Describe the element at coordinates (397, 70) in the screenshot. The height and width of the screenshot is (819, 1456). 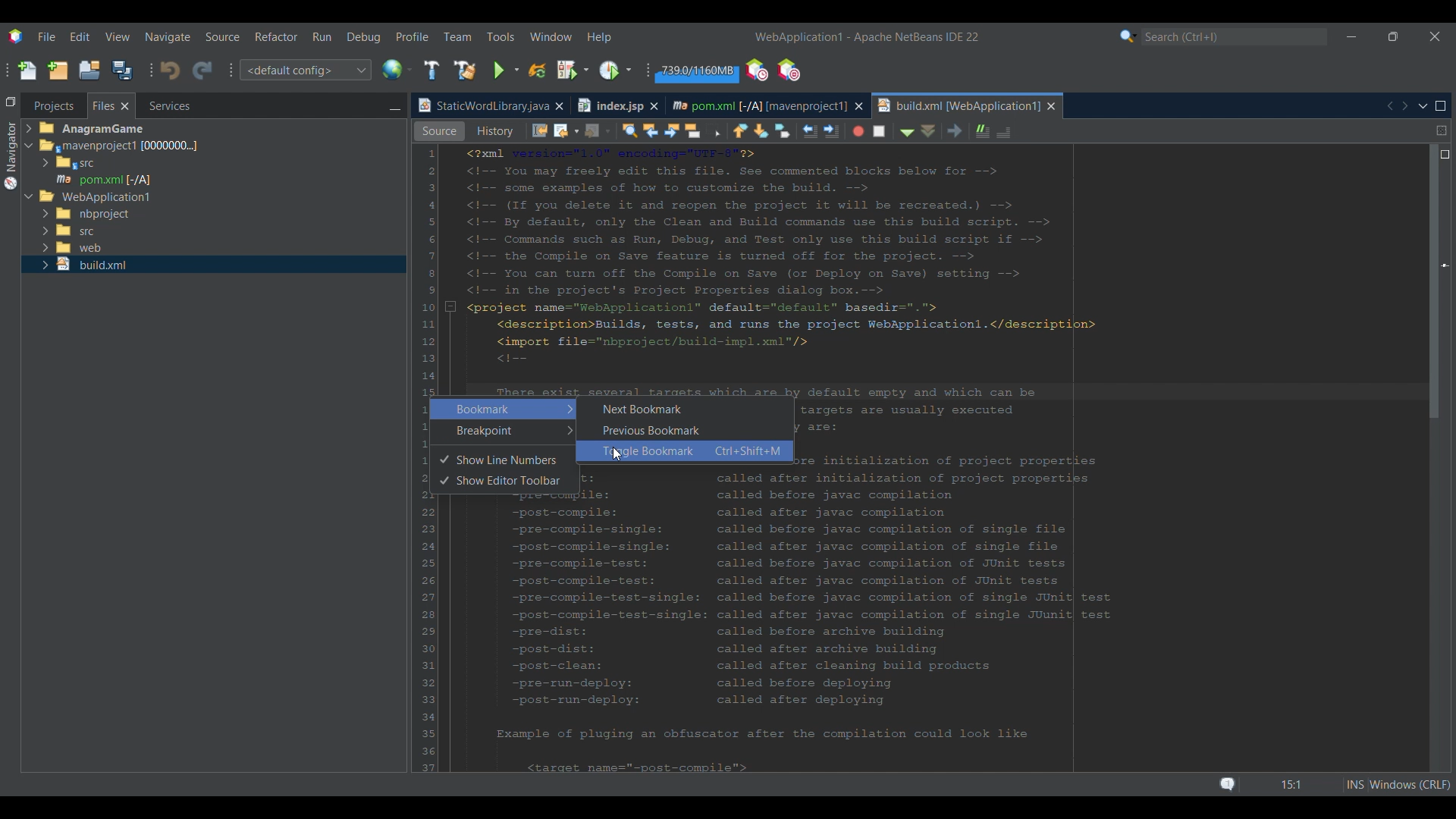
I see `IDE's default browser` at that location.